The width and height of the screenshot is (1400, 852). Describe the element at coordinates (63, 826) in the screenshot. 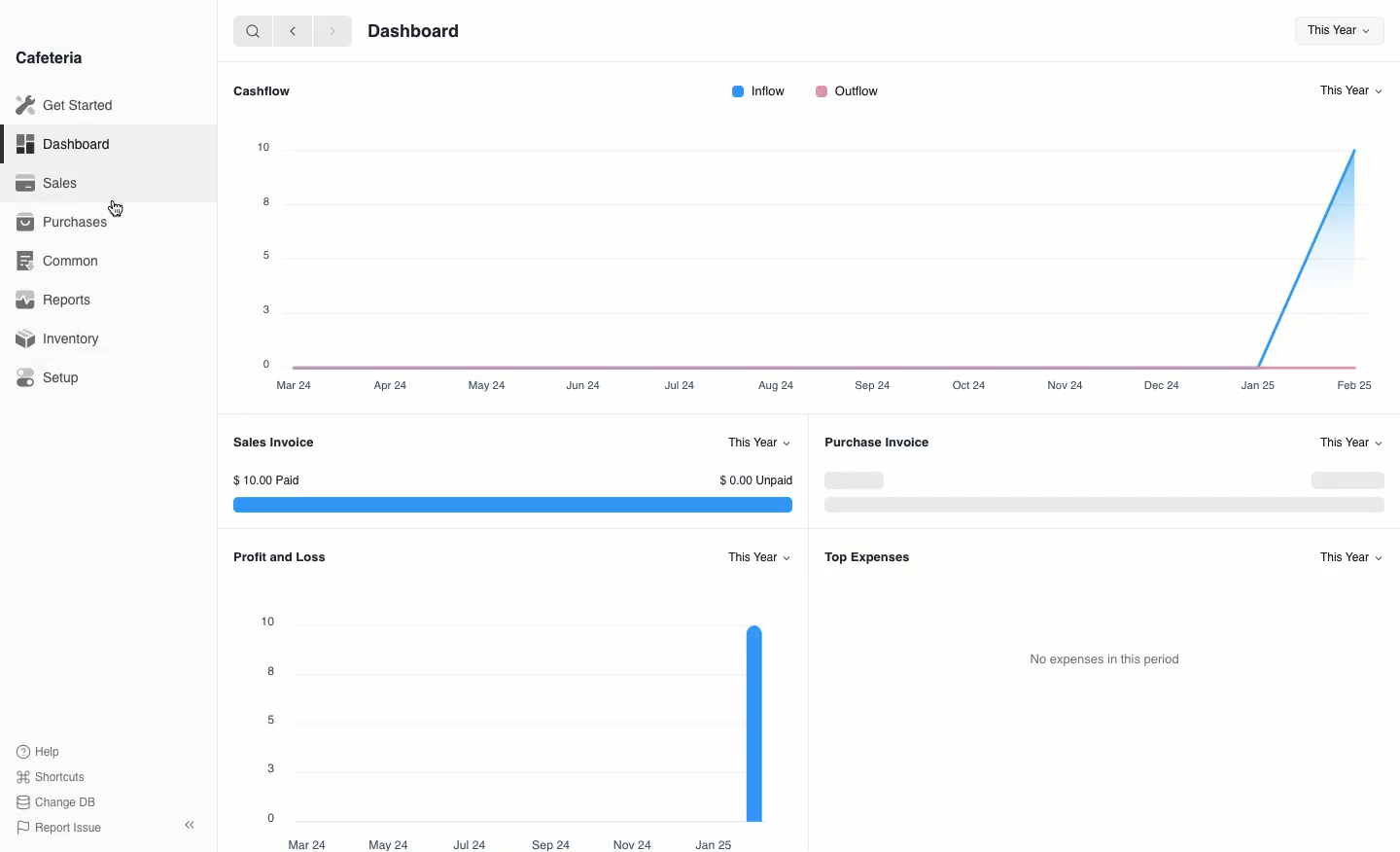

I see `Report Issue` at that location.